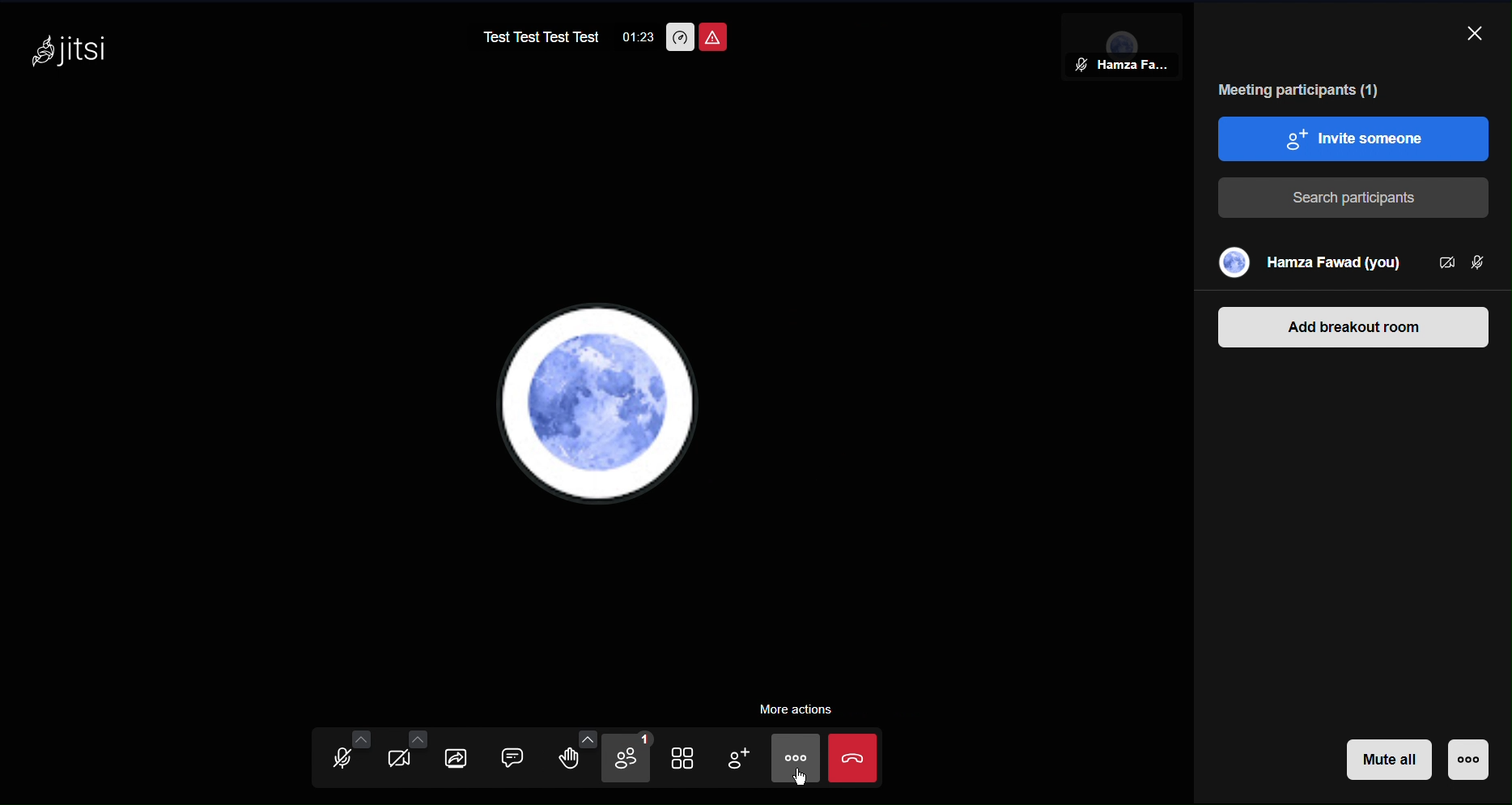 Image resolution: width=1512 pixels, height=805 pixels. Describe the element at coordinates (1352, 325) in the screenshot. I see `Add breakout room` at that location.